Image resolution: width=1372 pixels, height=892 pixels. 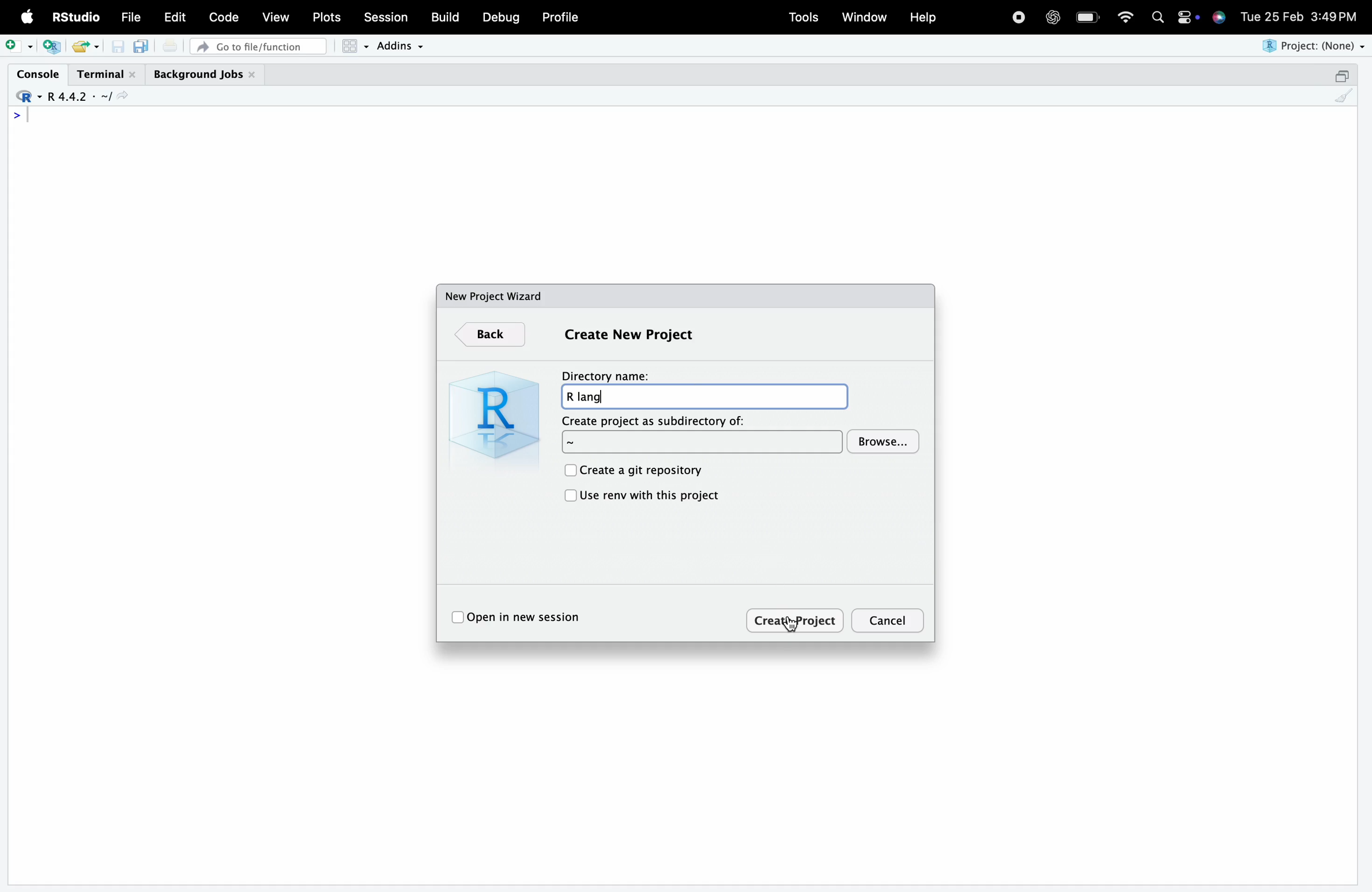 What do you see at coordinates (605, 376) in the screenshot?
I see `Directory name:` at bounding box center [605, 376].